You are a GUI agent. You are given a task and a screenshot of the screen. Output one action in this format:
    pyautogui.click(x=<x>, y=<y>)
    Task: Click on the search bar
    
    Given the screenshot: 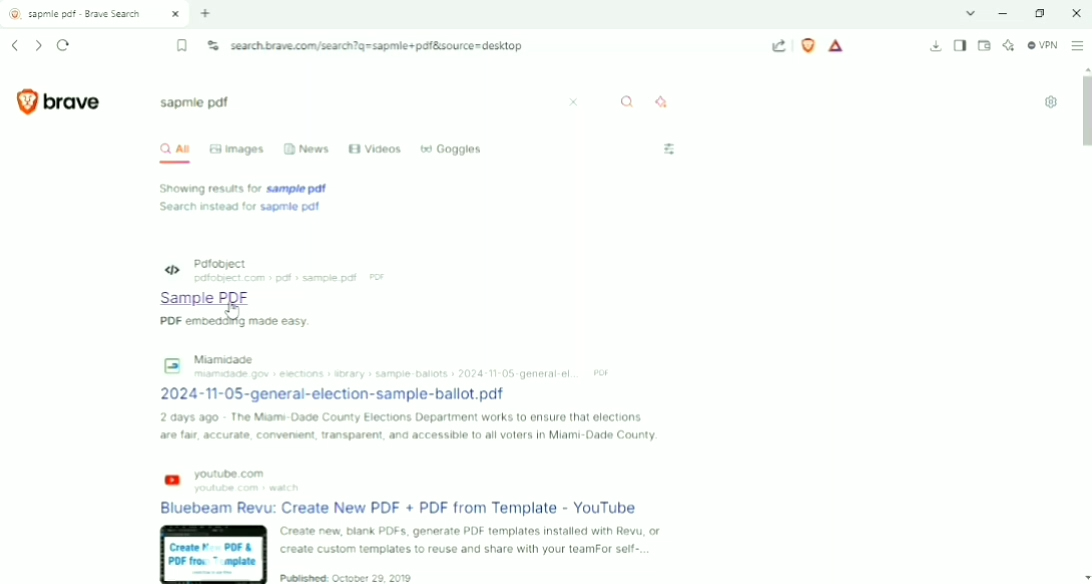 What is the action you would take?
    pyautogui.click(x=492, y=46)
    